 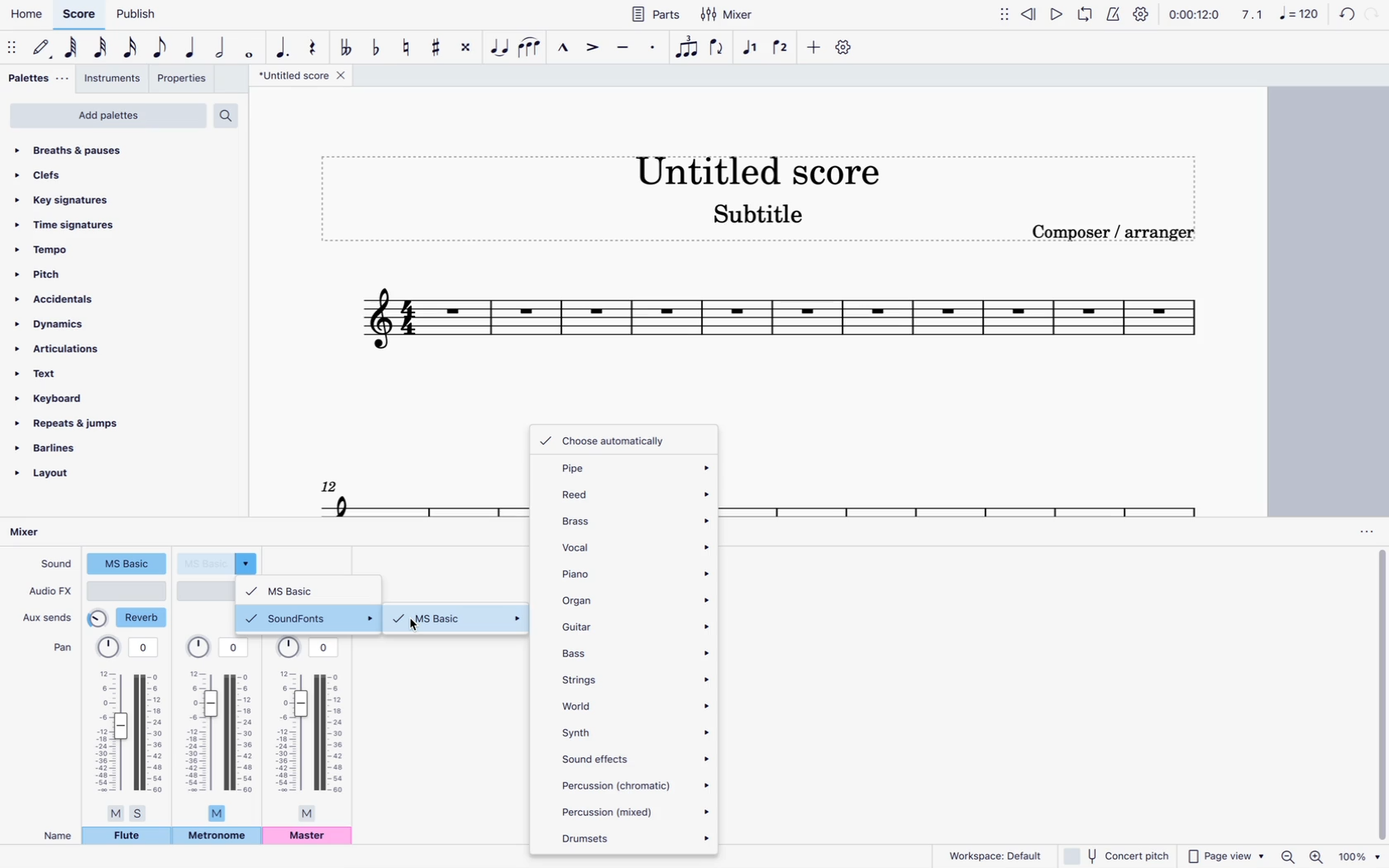 What do you see at coordinates (107, 116) in the screenshot?
I see `add palettes` at bounding box center [107, 116].